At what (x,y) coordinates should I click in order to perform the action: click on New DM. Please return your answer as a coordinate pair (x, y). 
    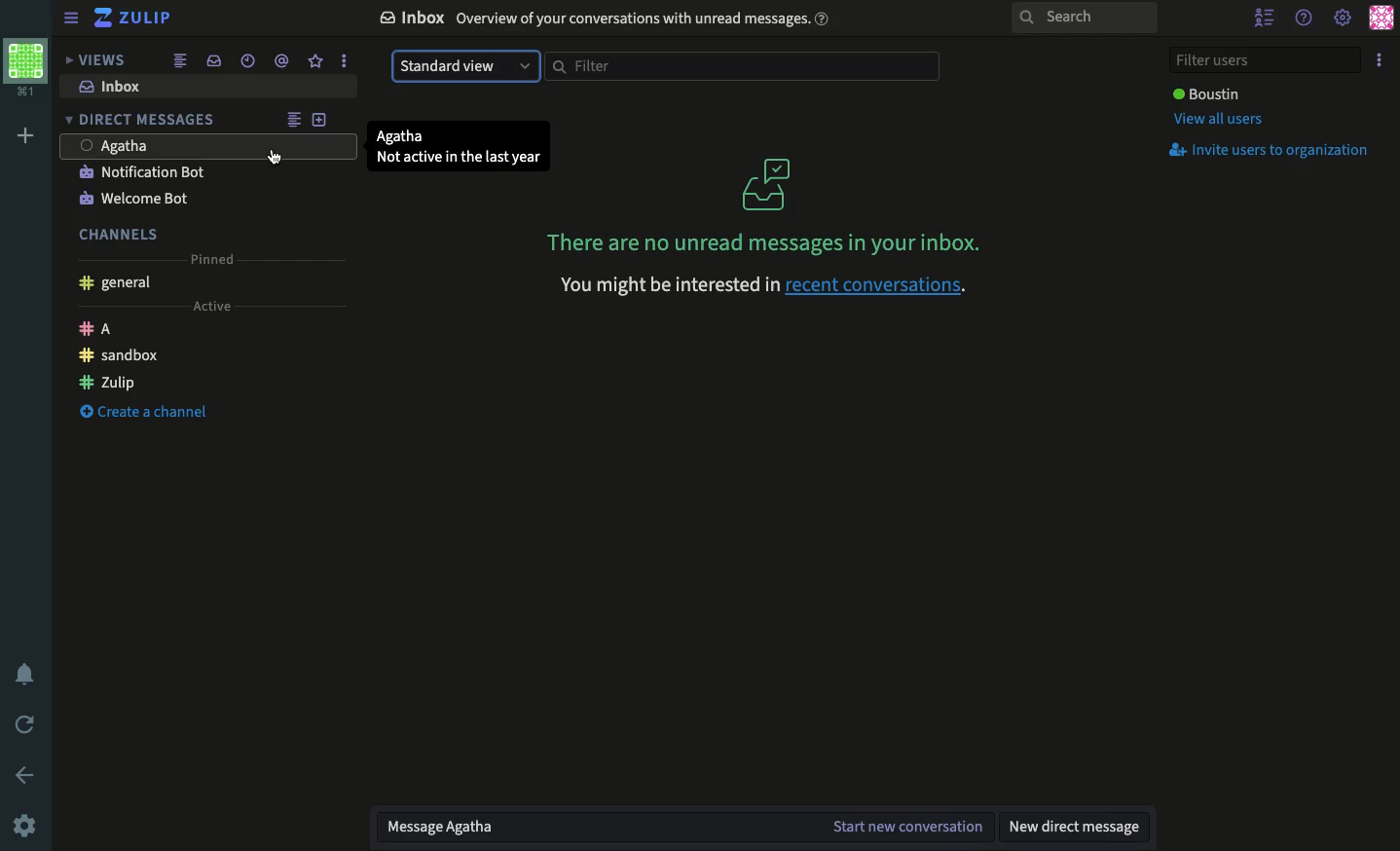
    Looking at the image, I should click on (1073, 828).